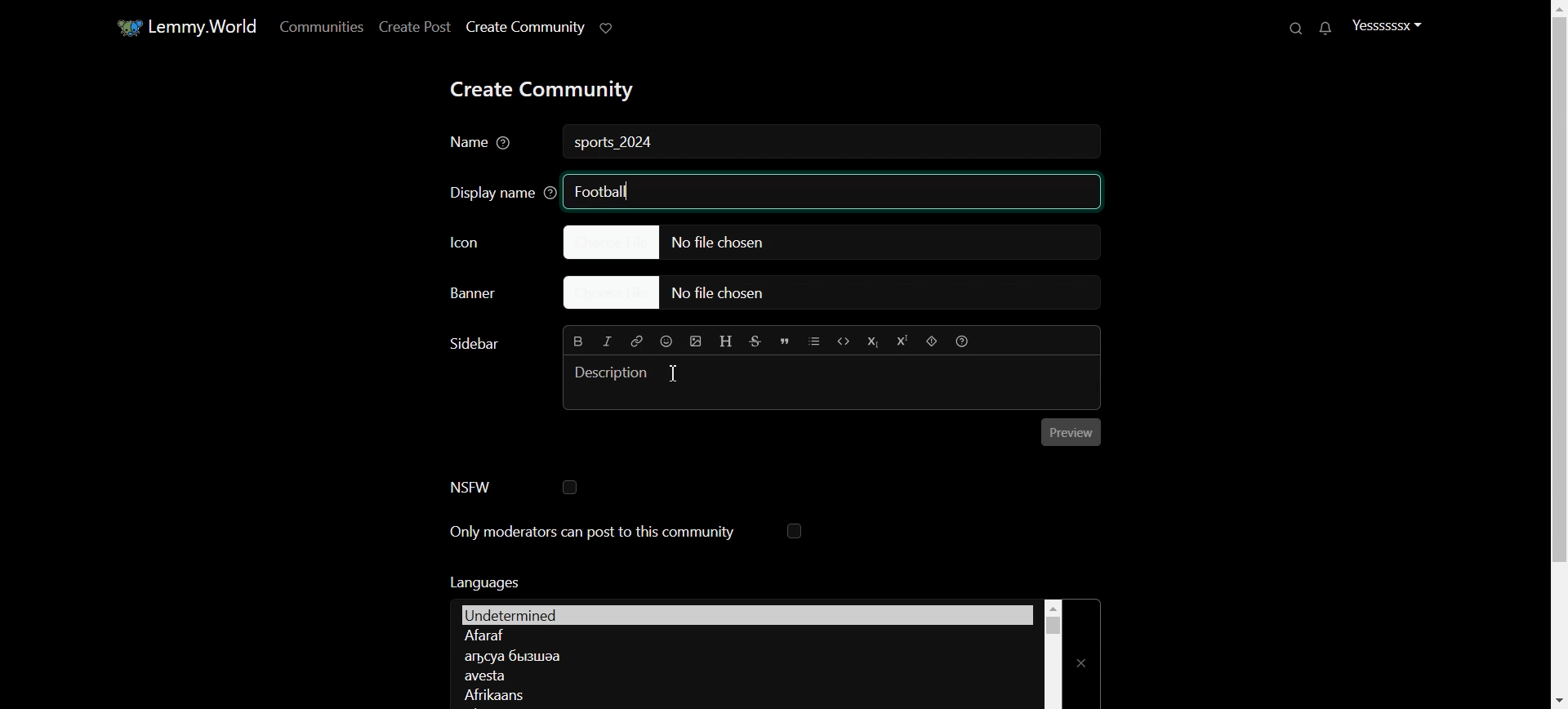 The width and height of the screenshot is (1568, 709). What do you see at coordinates (318, 26) in the screenshot?
I see `Communities` at bounding box center [318, 26].